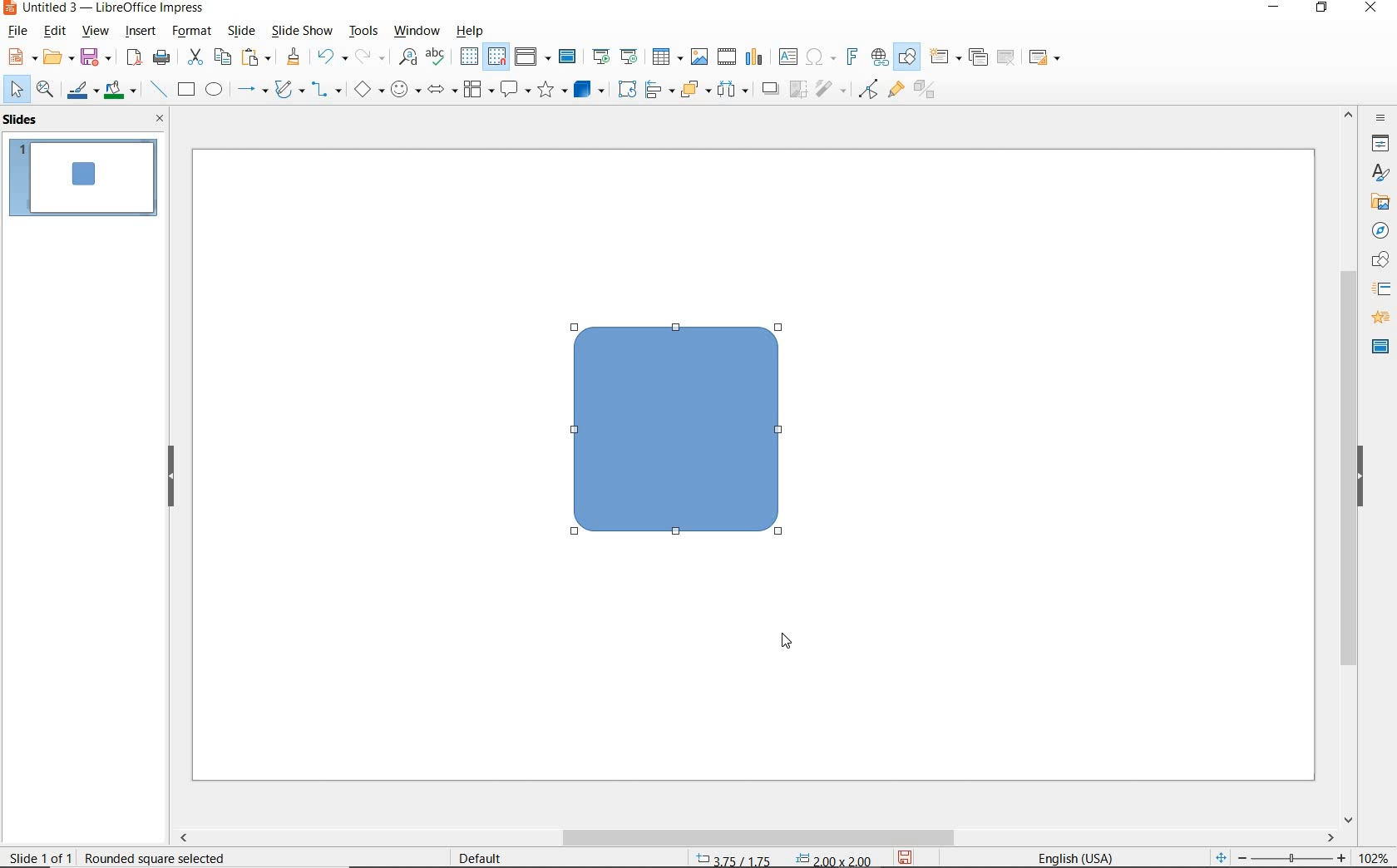  Describe the element at coordinates (158, 90) in the screenshot. I see `insert line` at that location.